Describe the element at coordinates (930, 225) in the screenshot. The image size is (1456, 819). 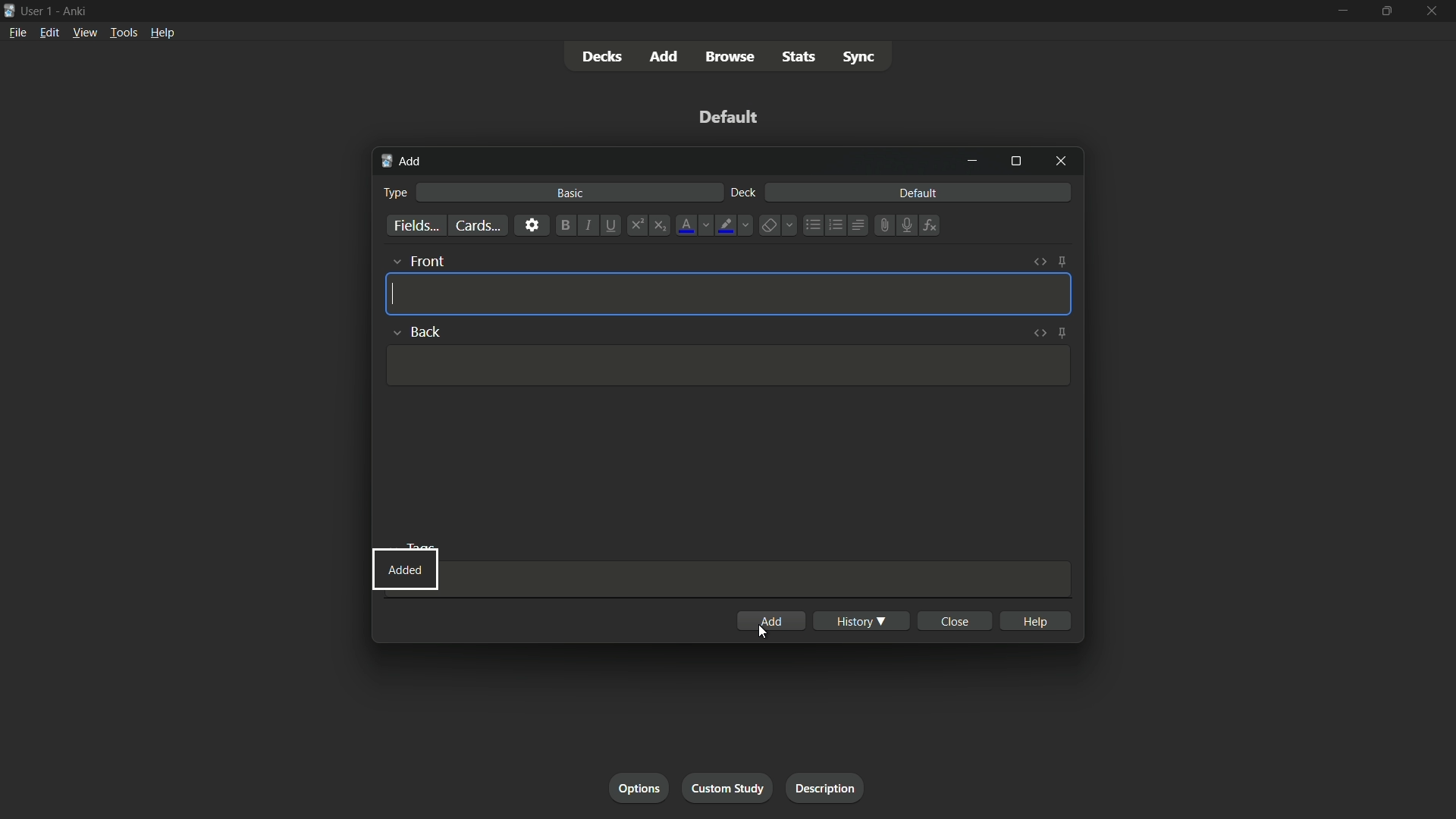
I see `equations` at that location.